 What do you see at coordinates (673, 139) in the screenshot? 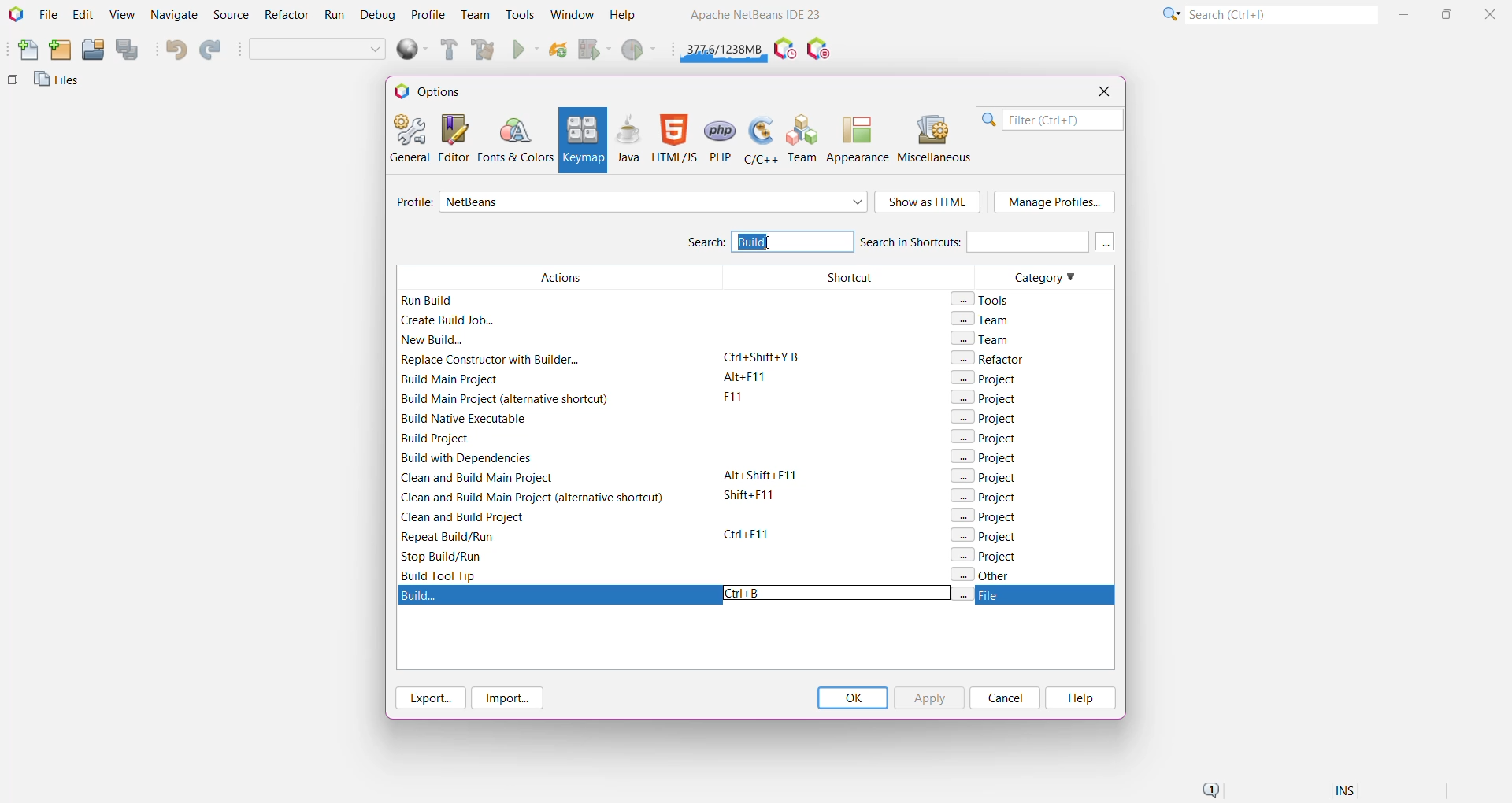
I see `HTML/JS` at bounding box center [673, 139].